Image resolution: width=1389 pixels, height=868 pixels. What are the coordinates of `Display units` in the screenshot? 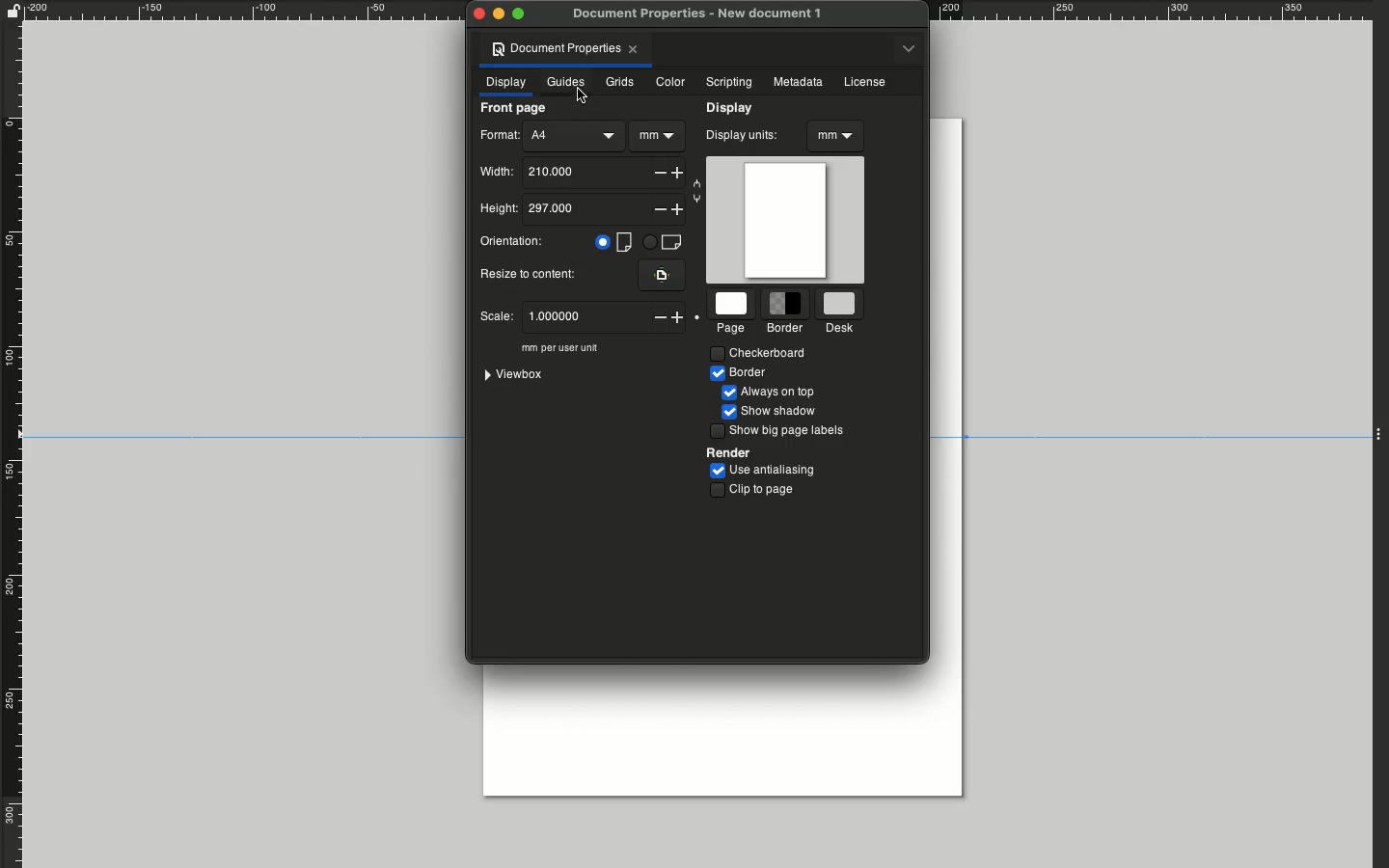 It's located at (745, 134).